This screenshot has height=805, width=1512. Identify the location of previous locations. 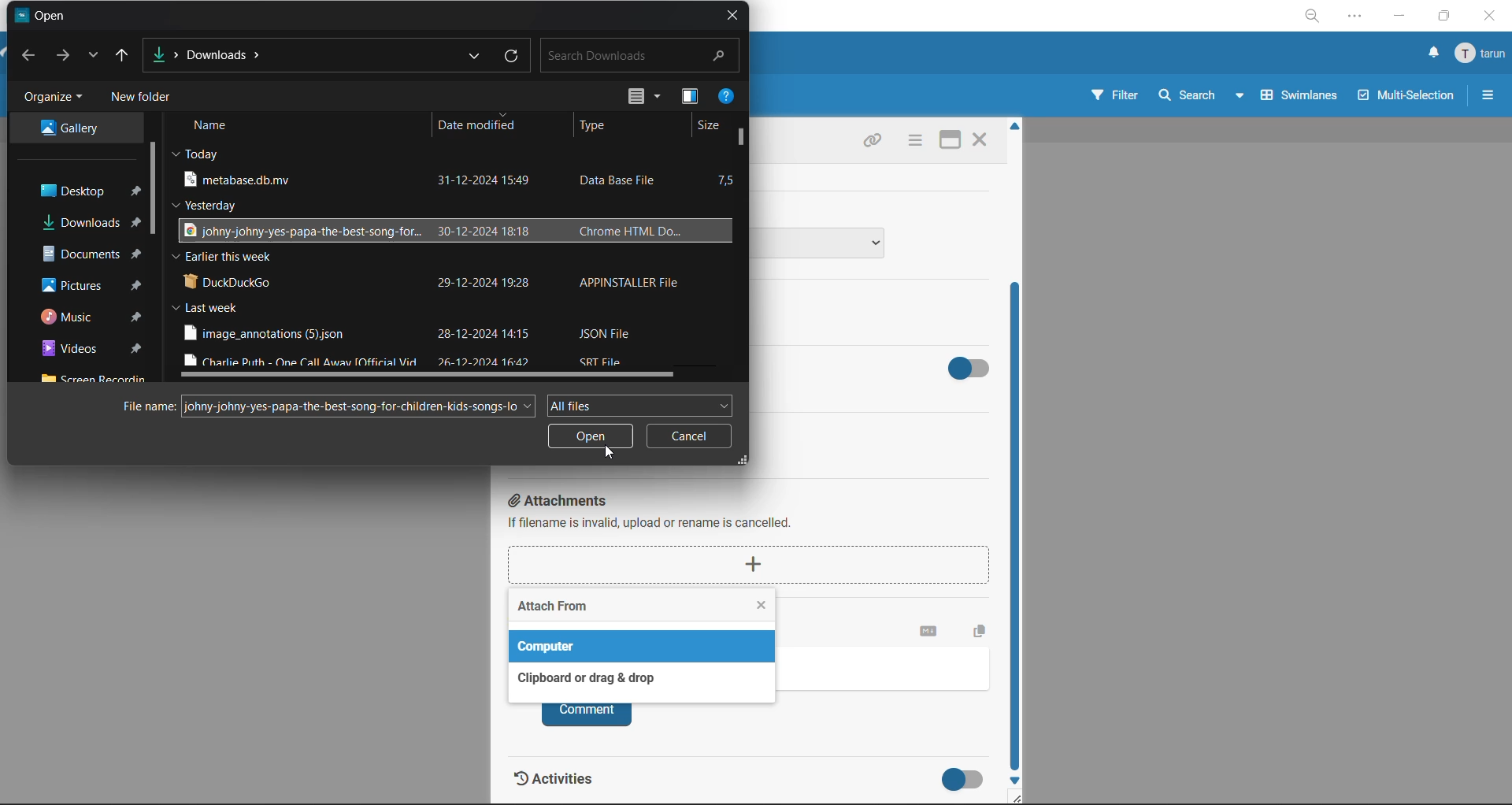
(475, 54).